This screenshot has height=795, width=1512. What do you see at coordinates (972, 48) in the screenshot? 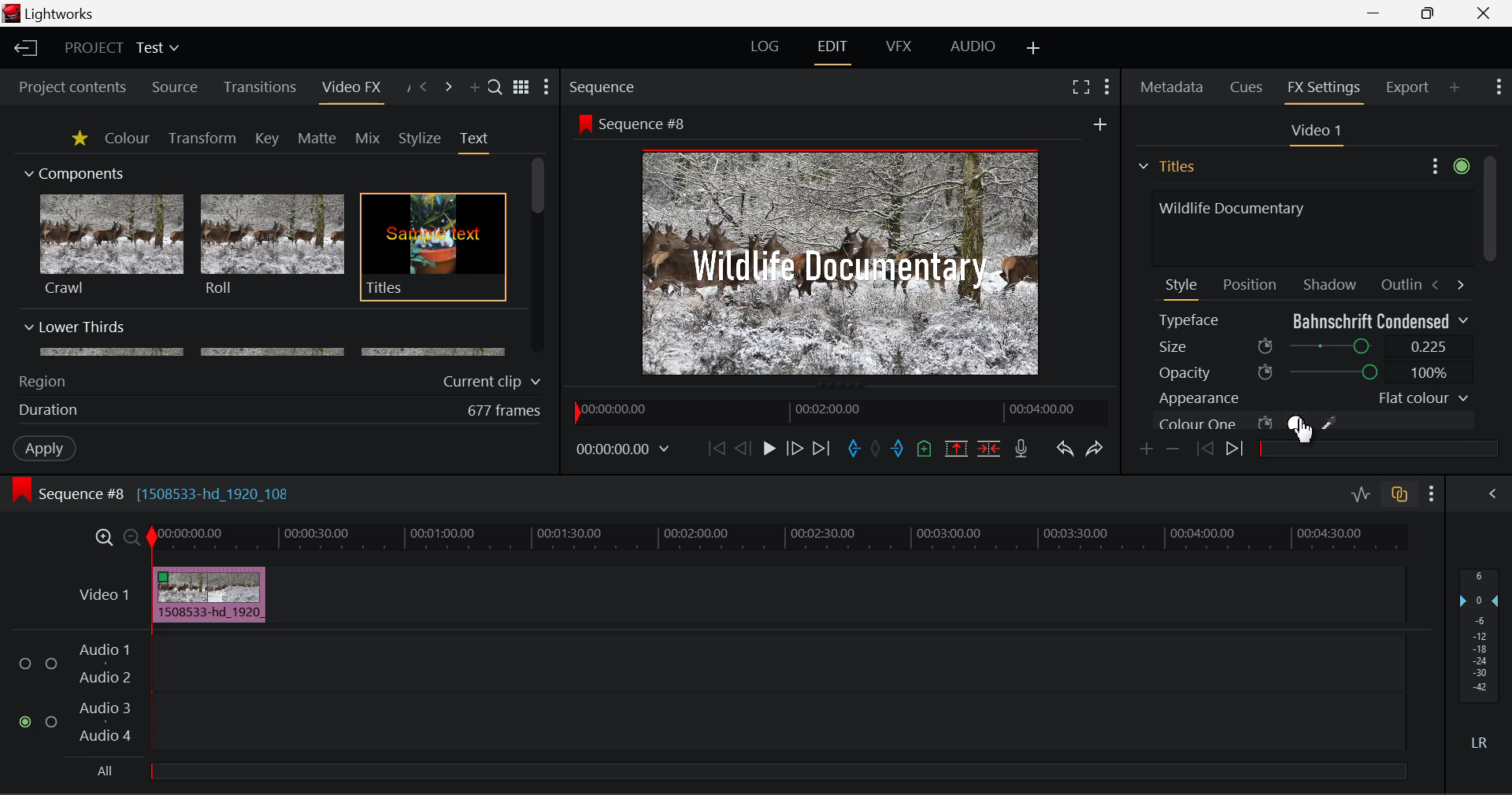
I see `AUDIO Layout` at bounding box center [972, 48].